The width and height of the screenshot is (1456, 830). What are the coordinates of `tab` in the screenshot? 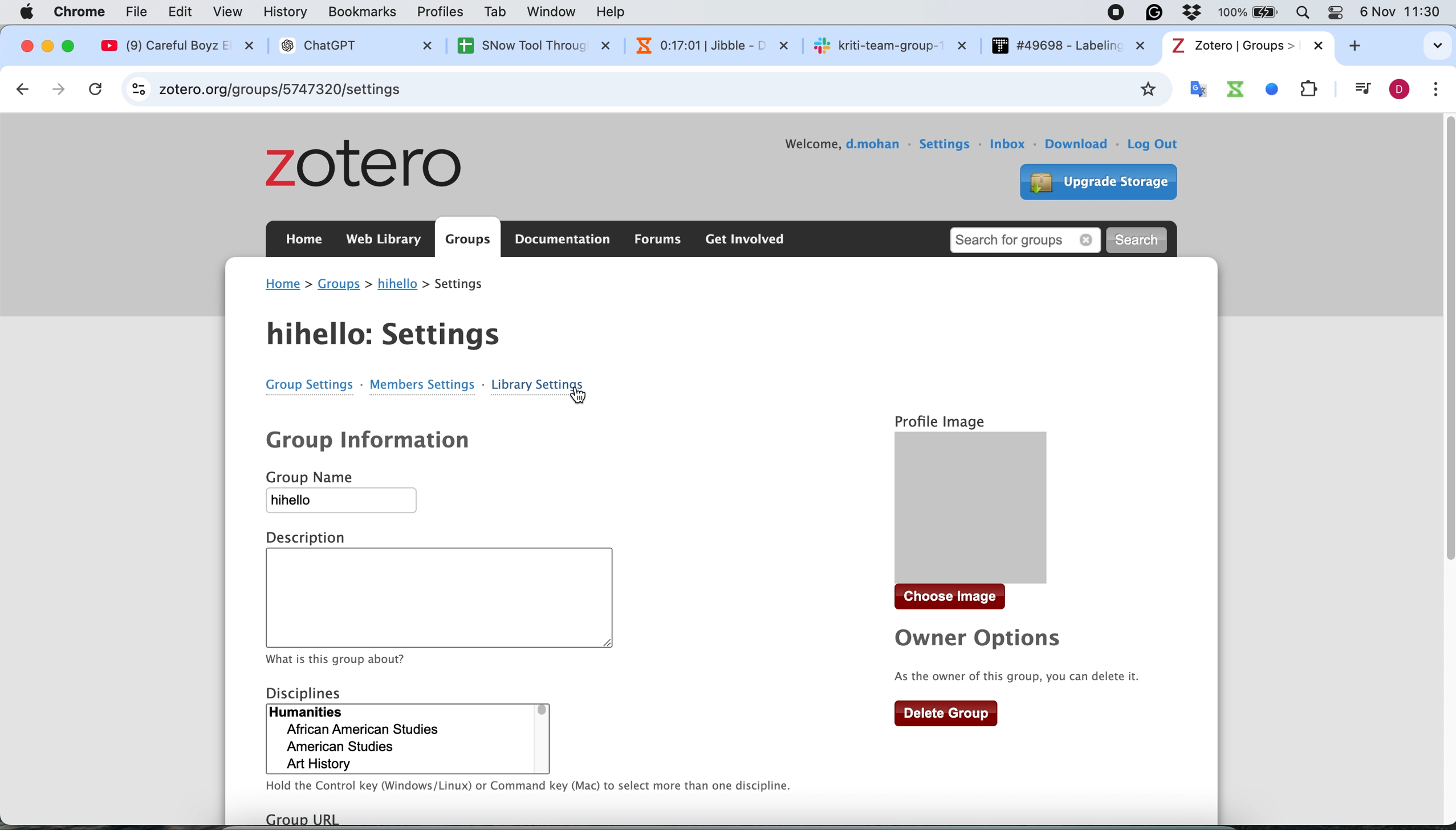 It's located at (497, 12).